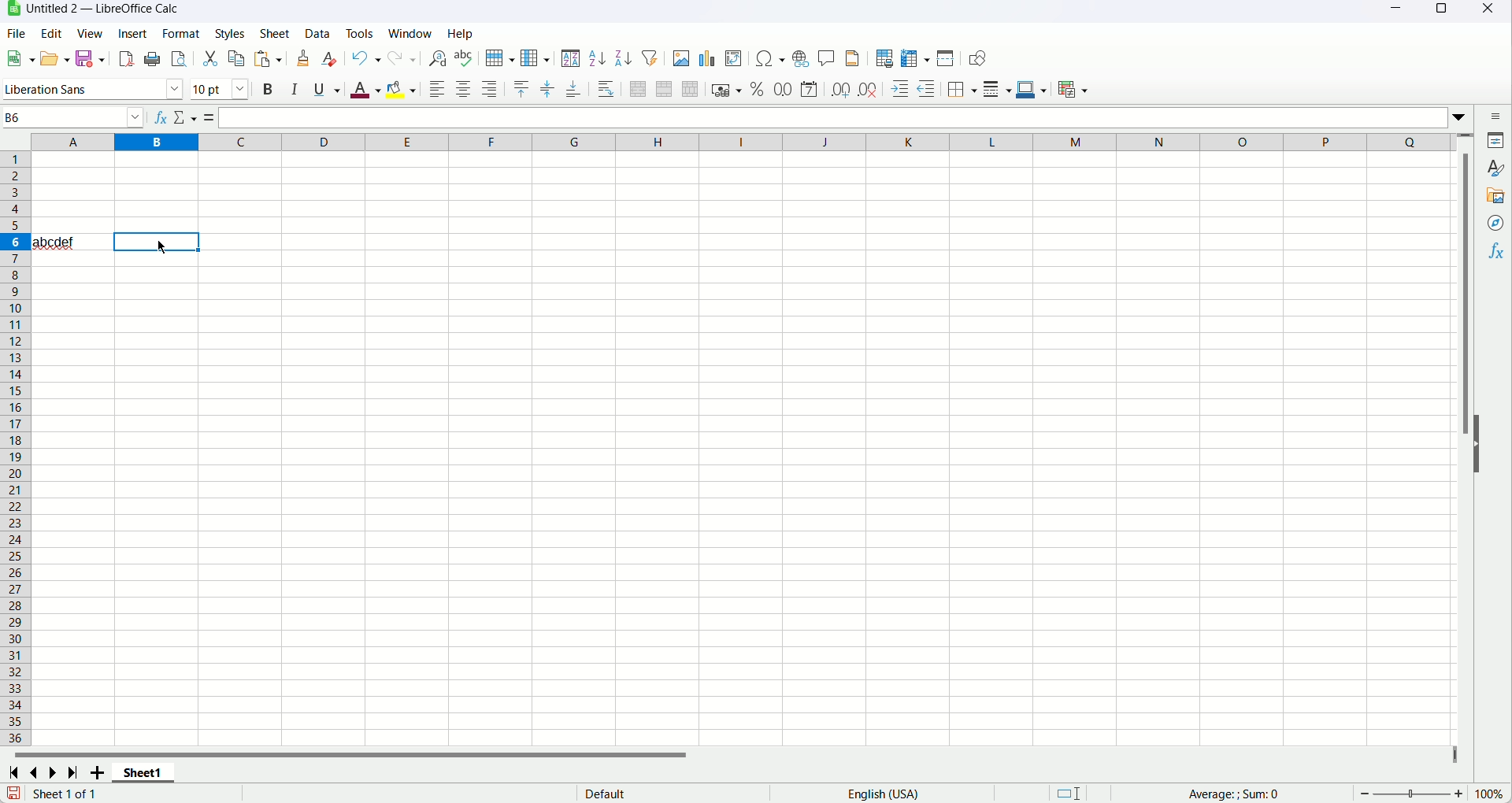 The width and height of the screenshot is (1512, 803). Describe the element at coordinates (203, 117) in the screenshot. I see `accept` at that location.